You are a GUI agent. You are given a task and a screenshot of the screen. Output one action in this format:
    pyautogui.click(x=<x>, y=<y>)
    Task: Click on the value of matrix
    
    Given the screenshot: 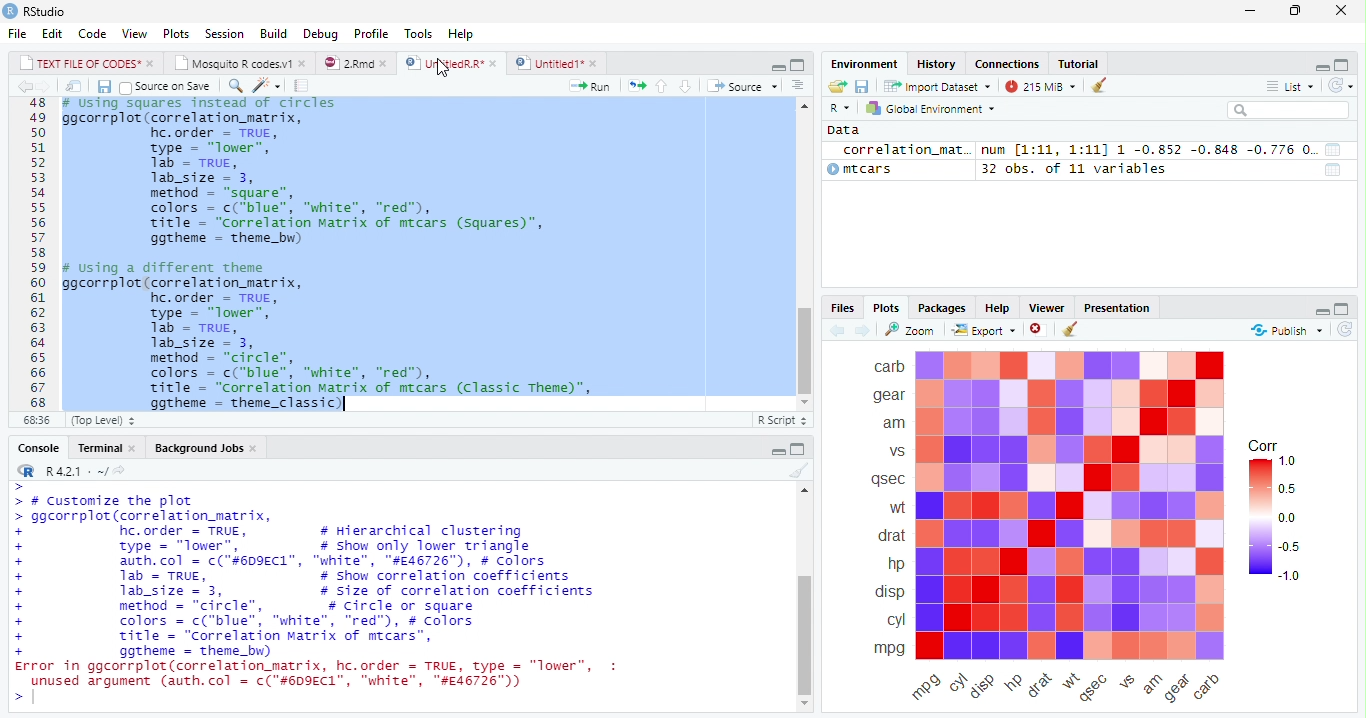 What is the action you would take?
    pyautogui.click(x=1336, y=150)
    